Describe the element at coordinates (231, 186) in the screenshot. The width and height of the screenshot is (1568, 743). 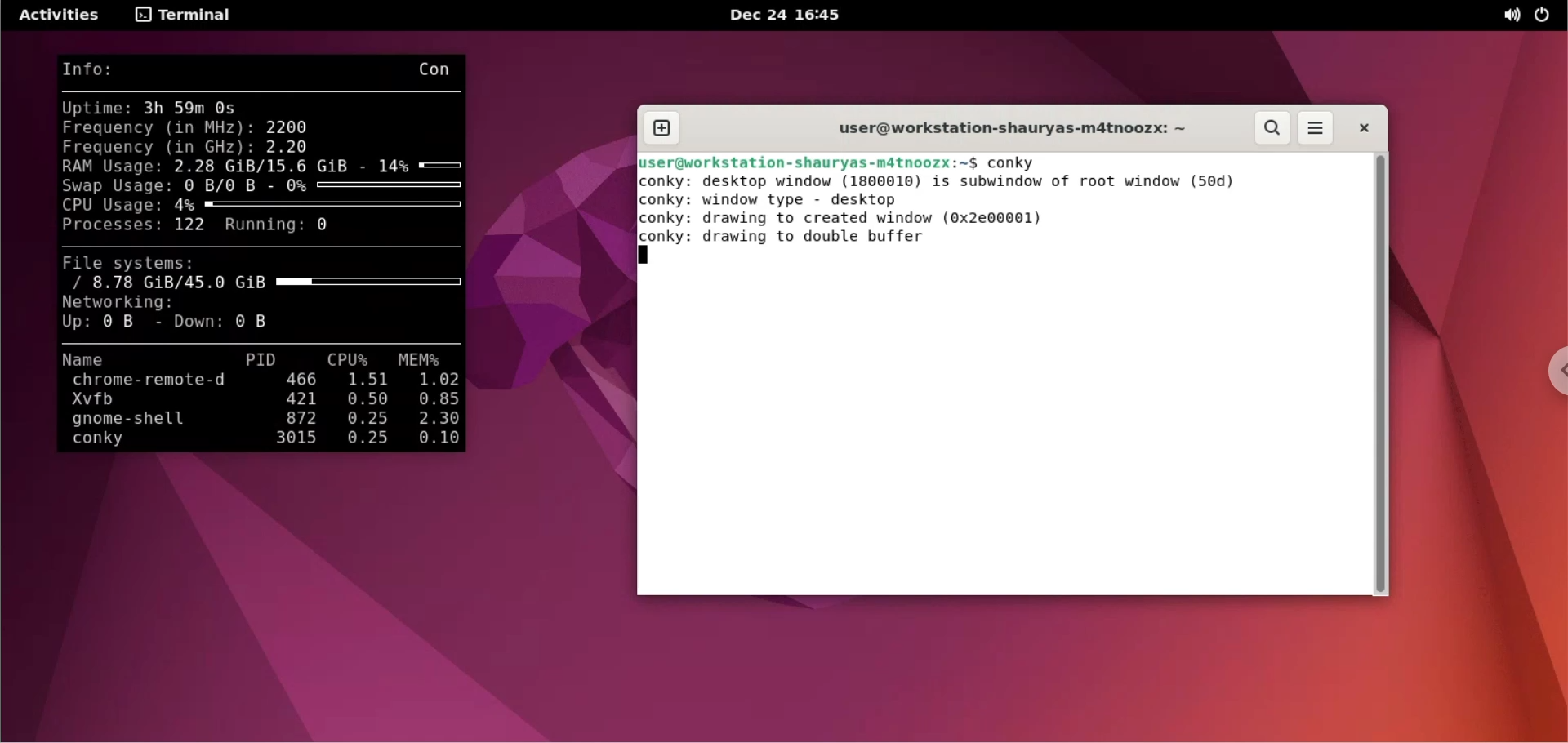
I see `0B/0B` at that location.